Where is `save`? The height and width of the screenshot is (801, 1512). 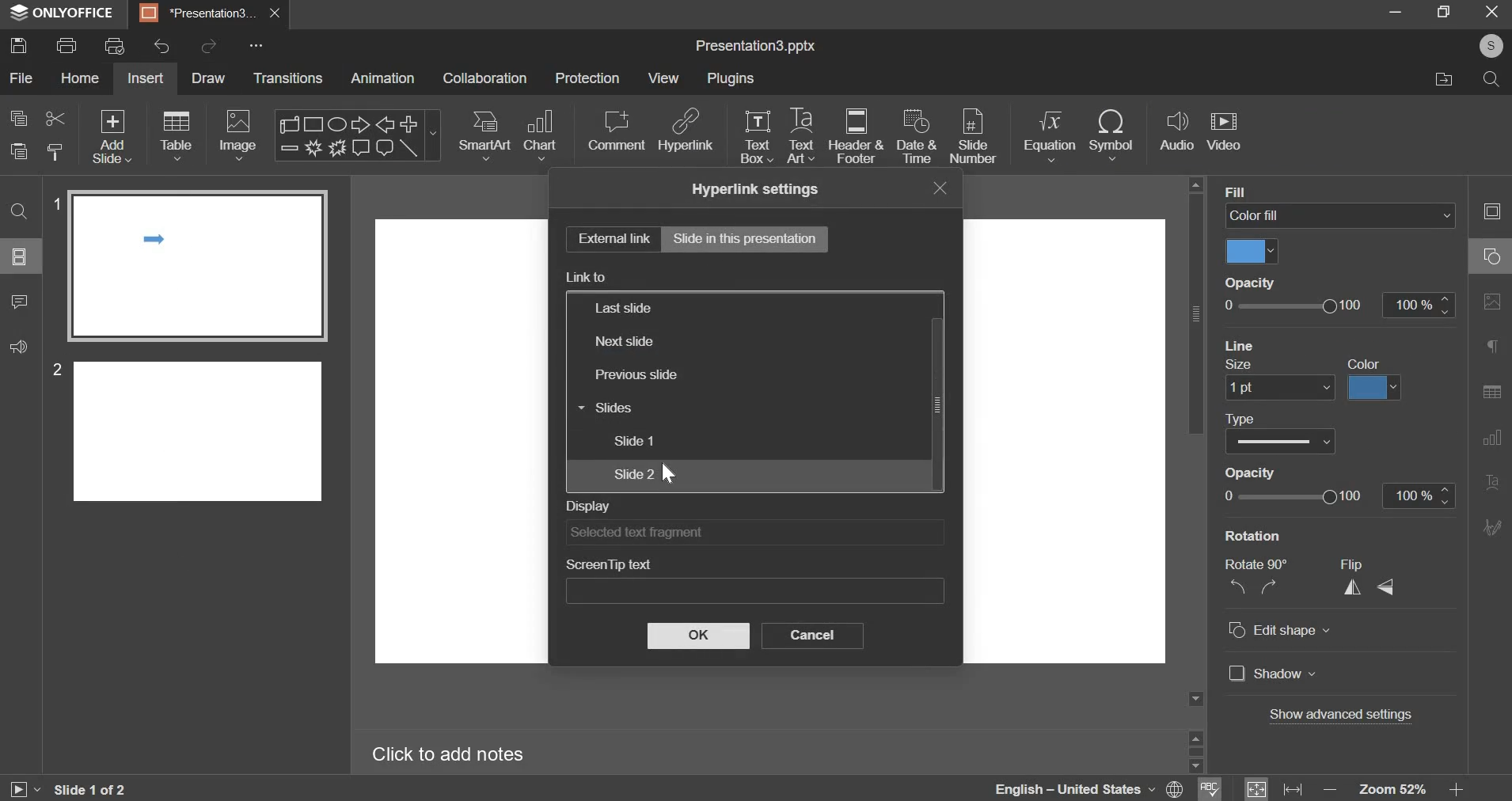
save is located at coordinates (19, 44).